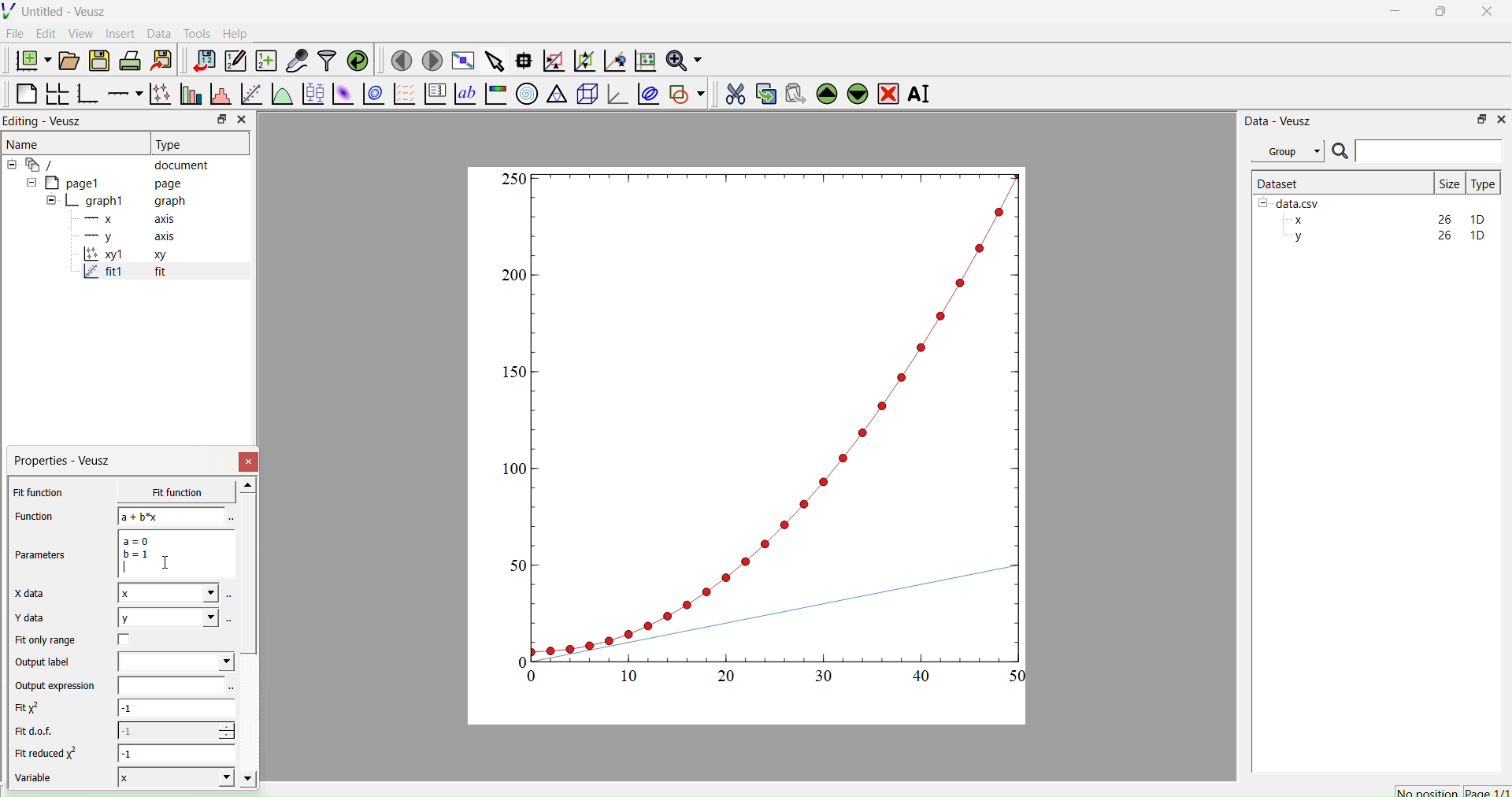 The image size is (1512, 797). What do you see at coordinates (120, 92) in the screenshot?
I see `Add an axis to plot` at bounding box center [120, 92].